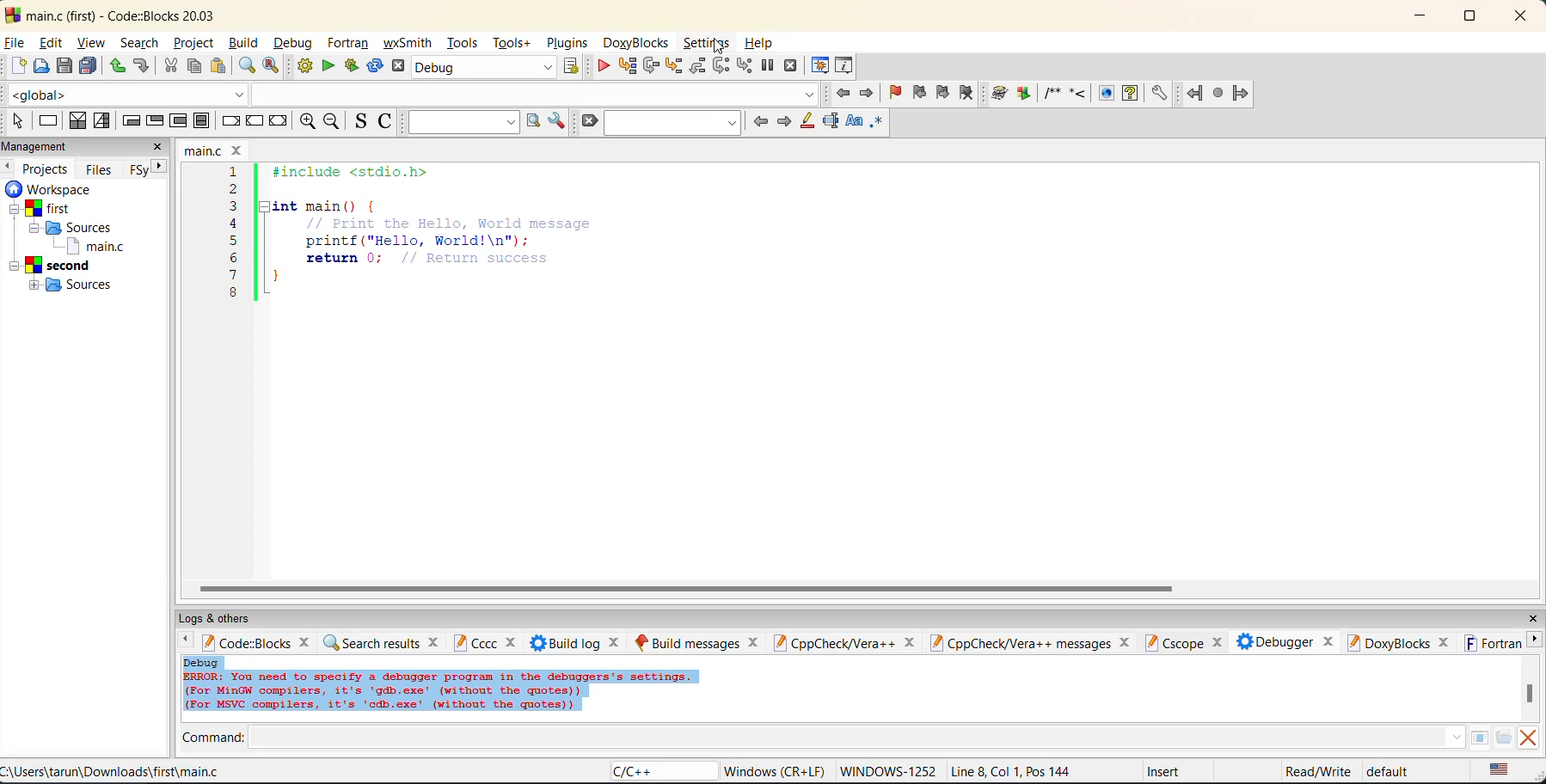 The height and width of the screenshot is (784, 1546). Describe the element at coordinates (114, 770) in the screenshot. I see `C:\Users\tarun\Downloads\first\main.c` at that location.